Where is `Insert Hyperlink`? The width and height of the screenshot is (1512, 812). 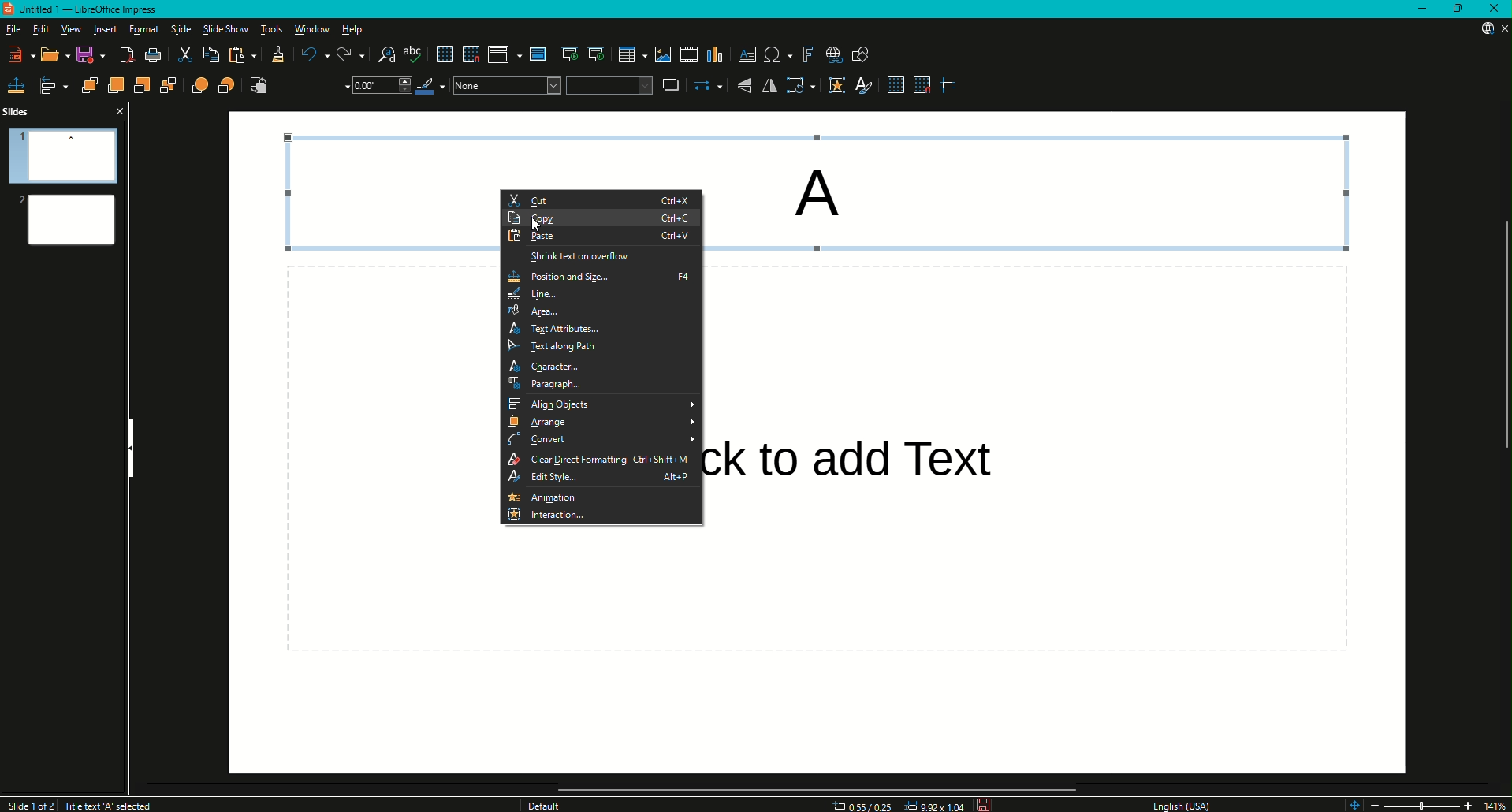 Insert Hyperlink is located at coordinates (835, 55).